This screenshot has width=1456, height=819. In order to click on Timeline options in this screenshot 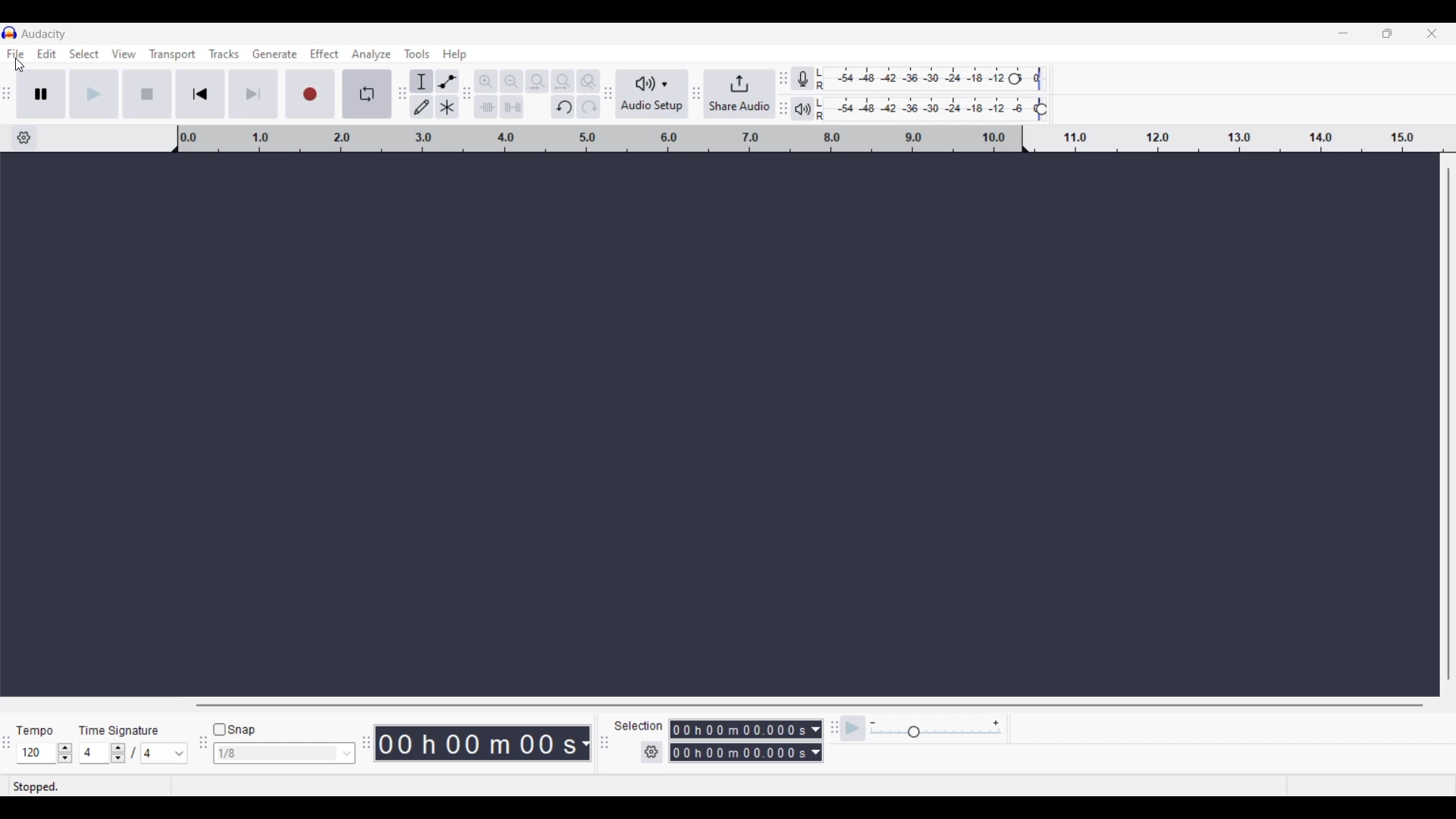, I will do `click(24, 138)`.